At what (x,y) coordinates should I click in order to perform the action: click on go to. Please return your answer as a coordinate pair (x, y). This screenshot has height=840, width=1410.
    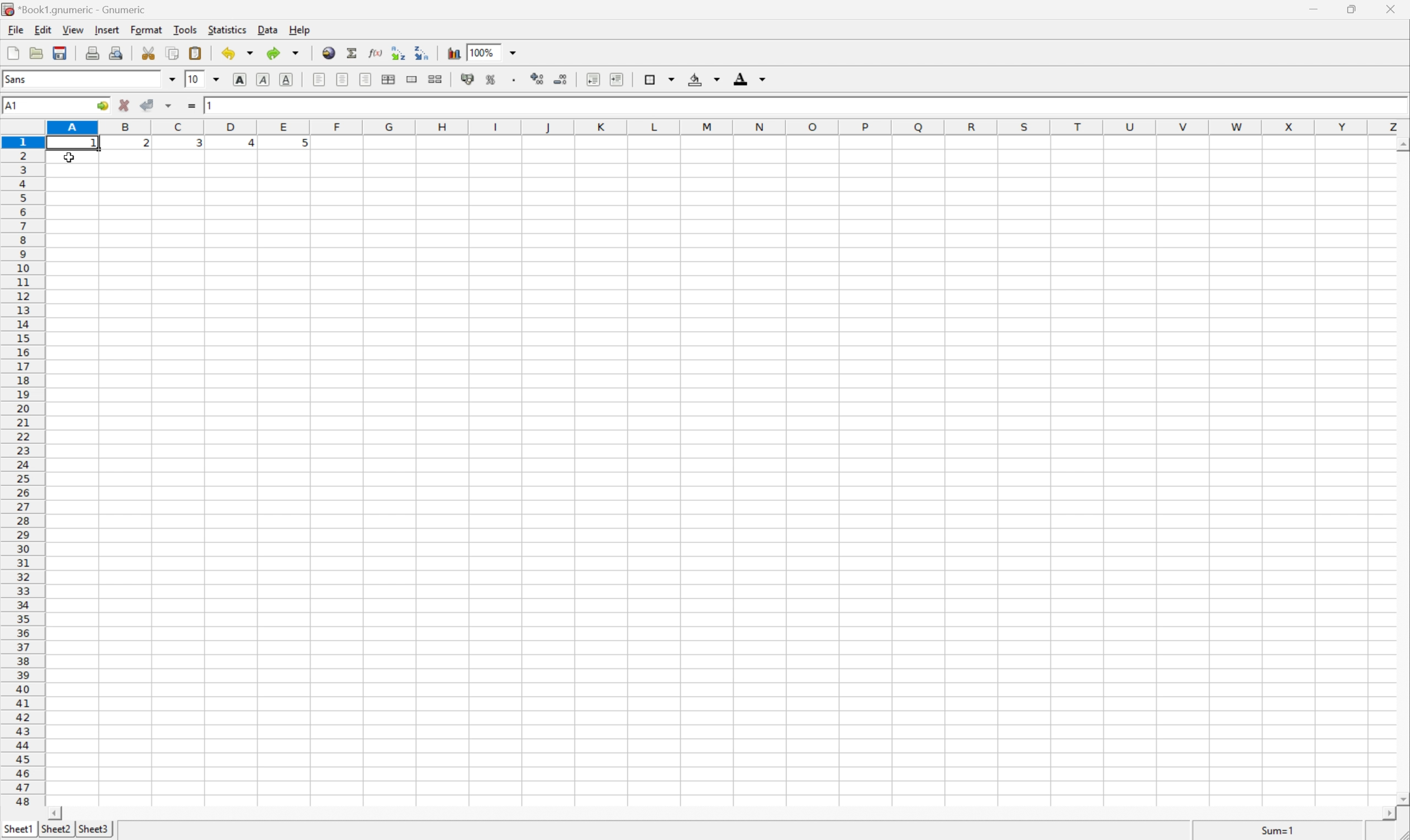
    Looking at the image, I should click on (103, 106).